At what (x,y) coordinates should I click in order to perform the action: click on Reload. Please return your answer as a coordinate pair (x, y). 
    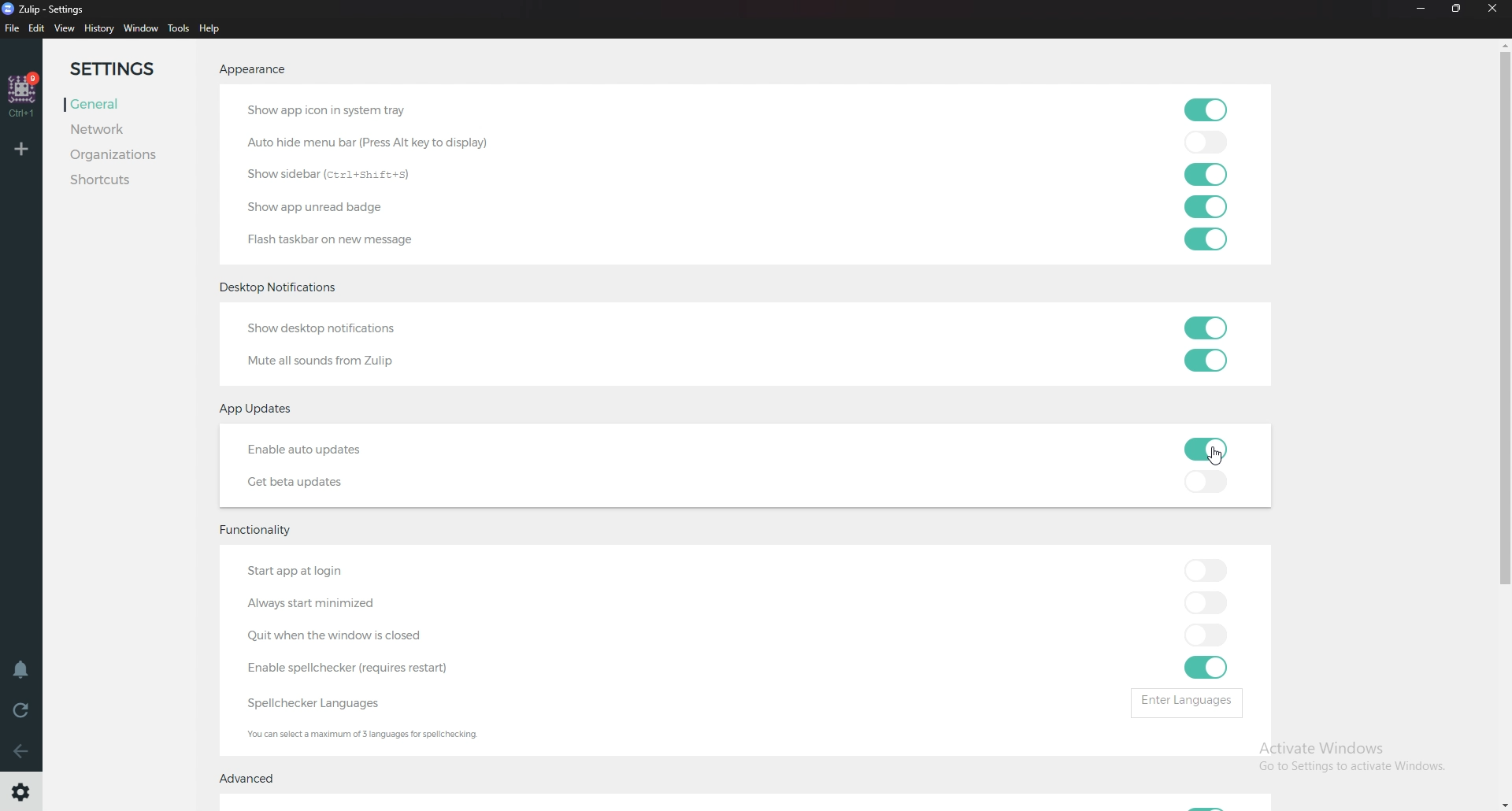
    Looking at the image, I should click on (24, 709).